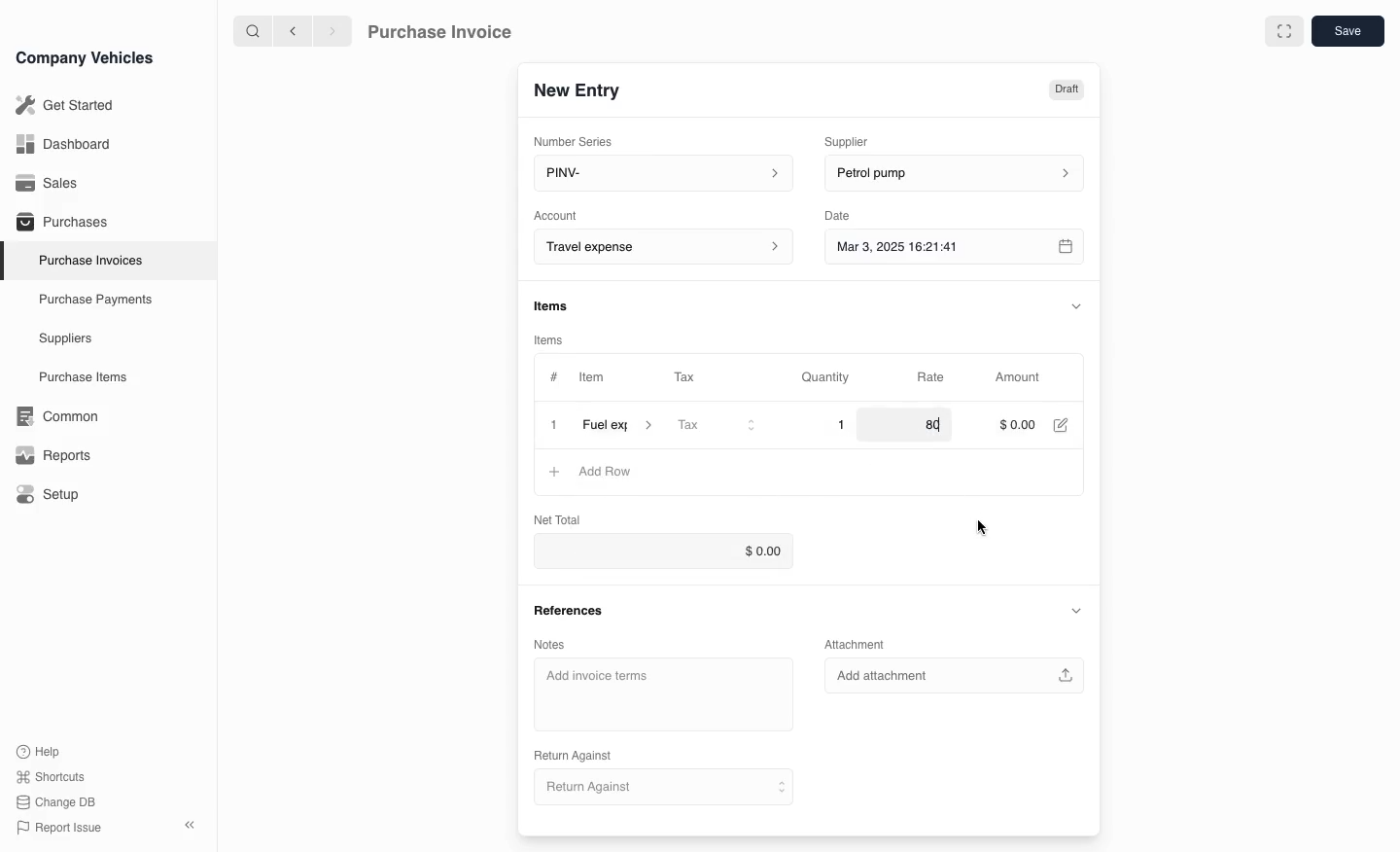 The width and height of the screenshot is (1400, 852). I want to click on Sales, so click(48, 183).